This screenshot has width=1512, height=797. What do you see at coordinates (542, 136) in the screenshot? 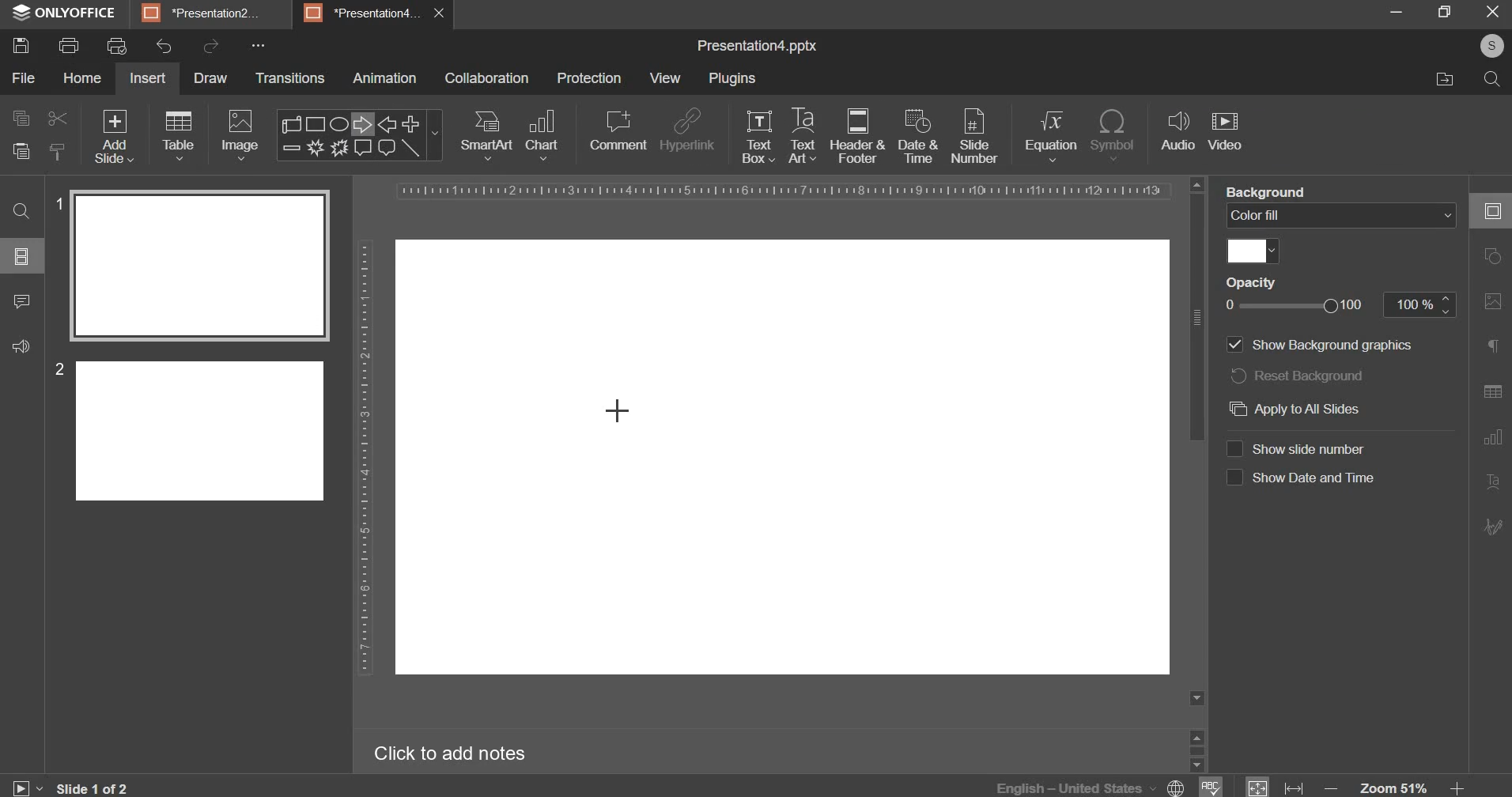
I see `chart` at bounding box center [542, 136].